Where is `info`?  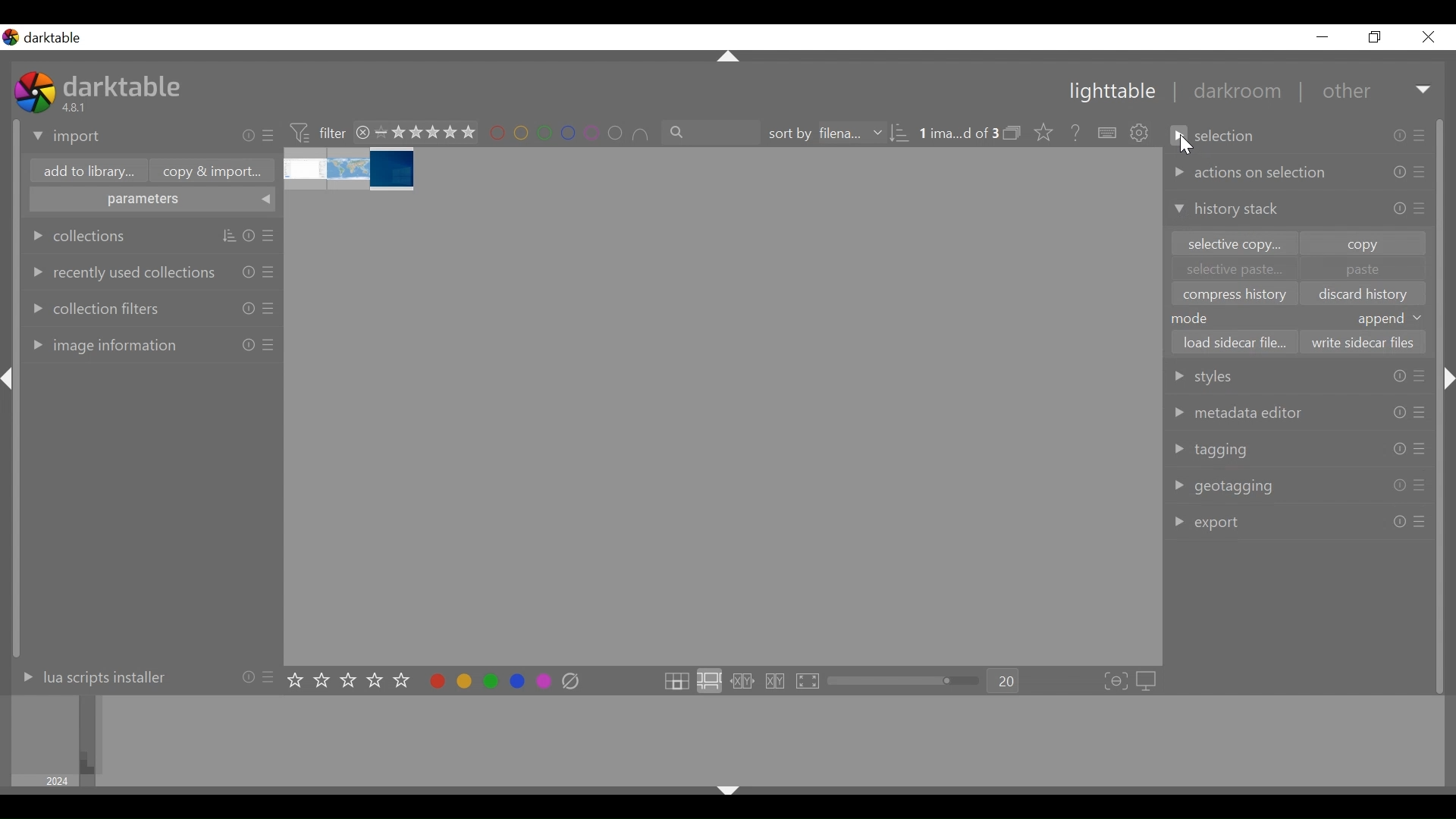 info is located at coordinates (249, 271).